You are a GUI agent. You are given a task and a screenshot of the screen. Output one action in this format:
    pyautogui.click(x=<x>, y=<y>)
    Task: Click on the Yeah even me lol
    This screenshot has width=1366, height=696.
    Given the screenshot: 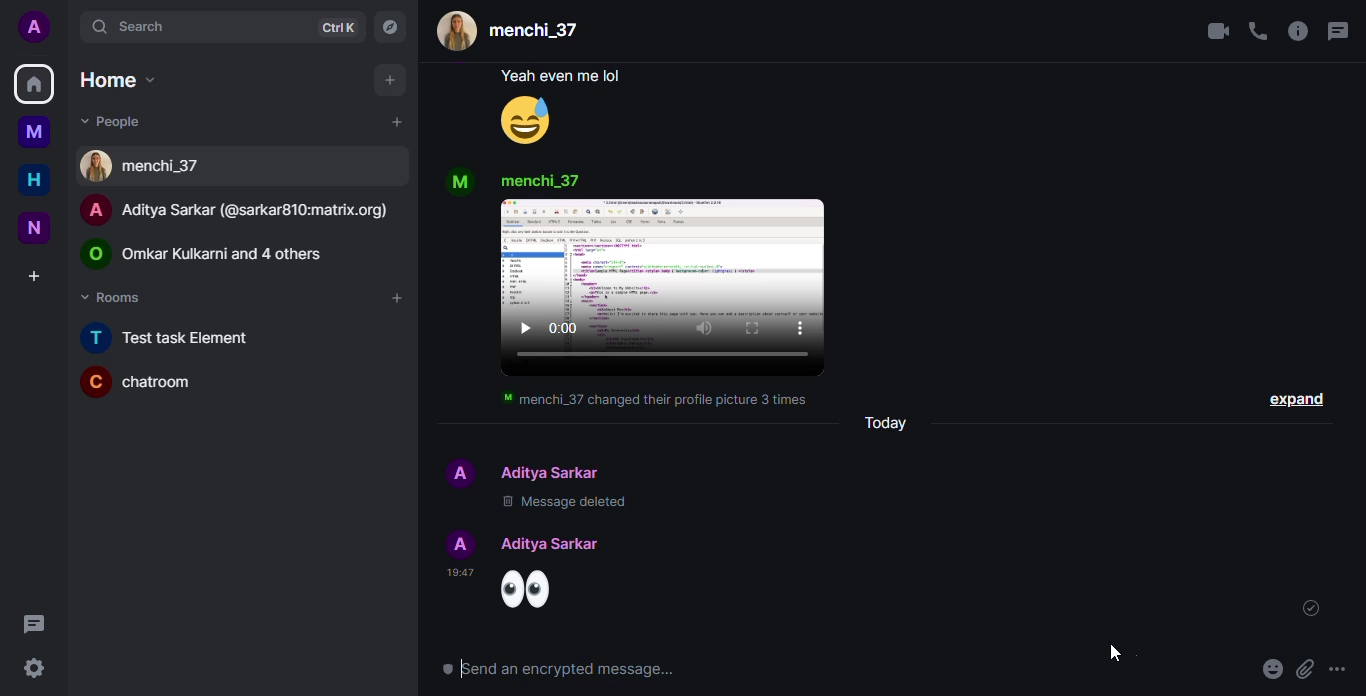 What is the action you would take?
    pyautogui.click(x=546, y=78)
    